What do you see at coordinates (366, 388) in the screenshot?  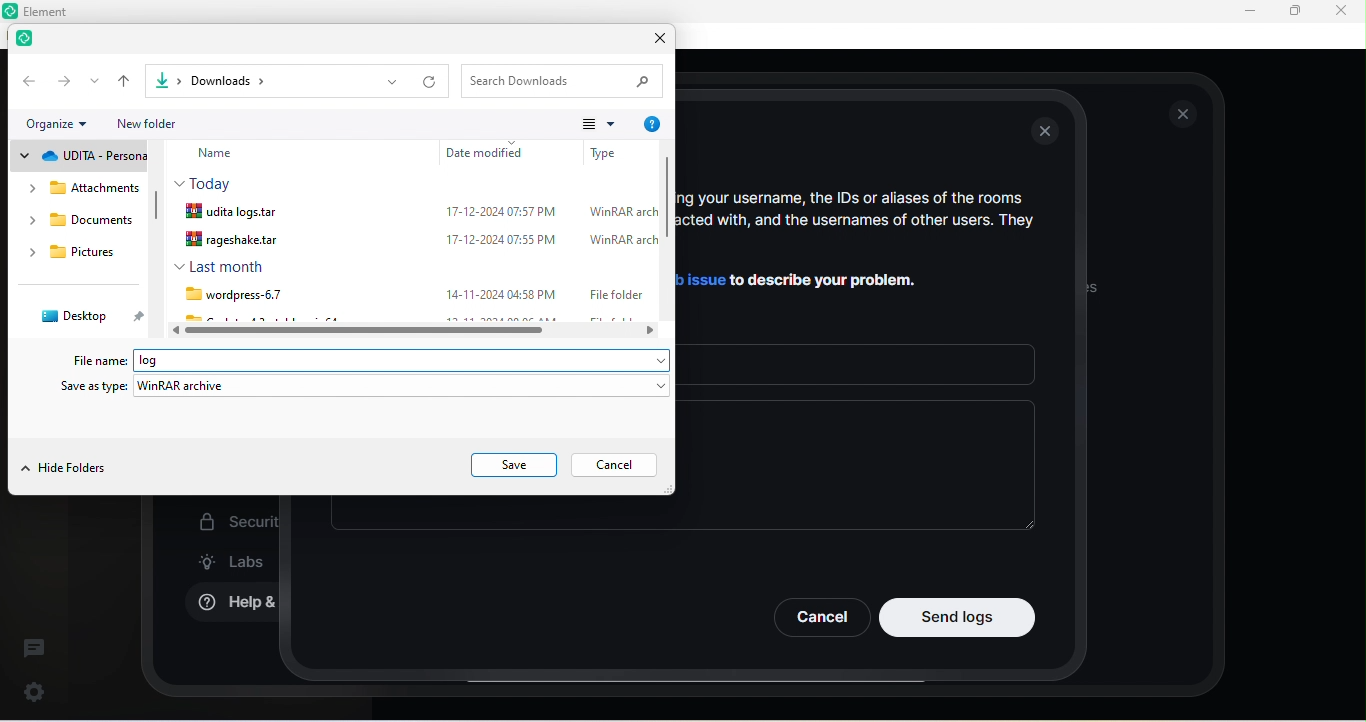 I see `save as` at bounding box center [366, 388].